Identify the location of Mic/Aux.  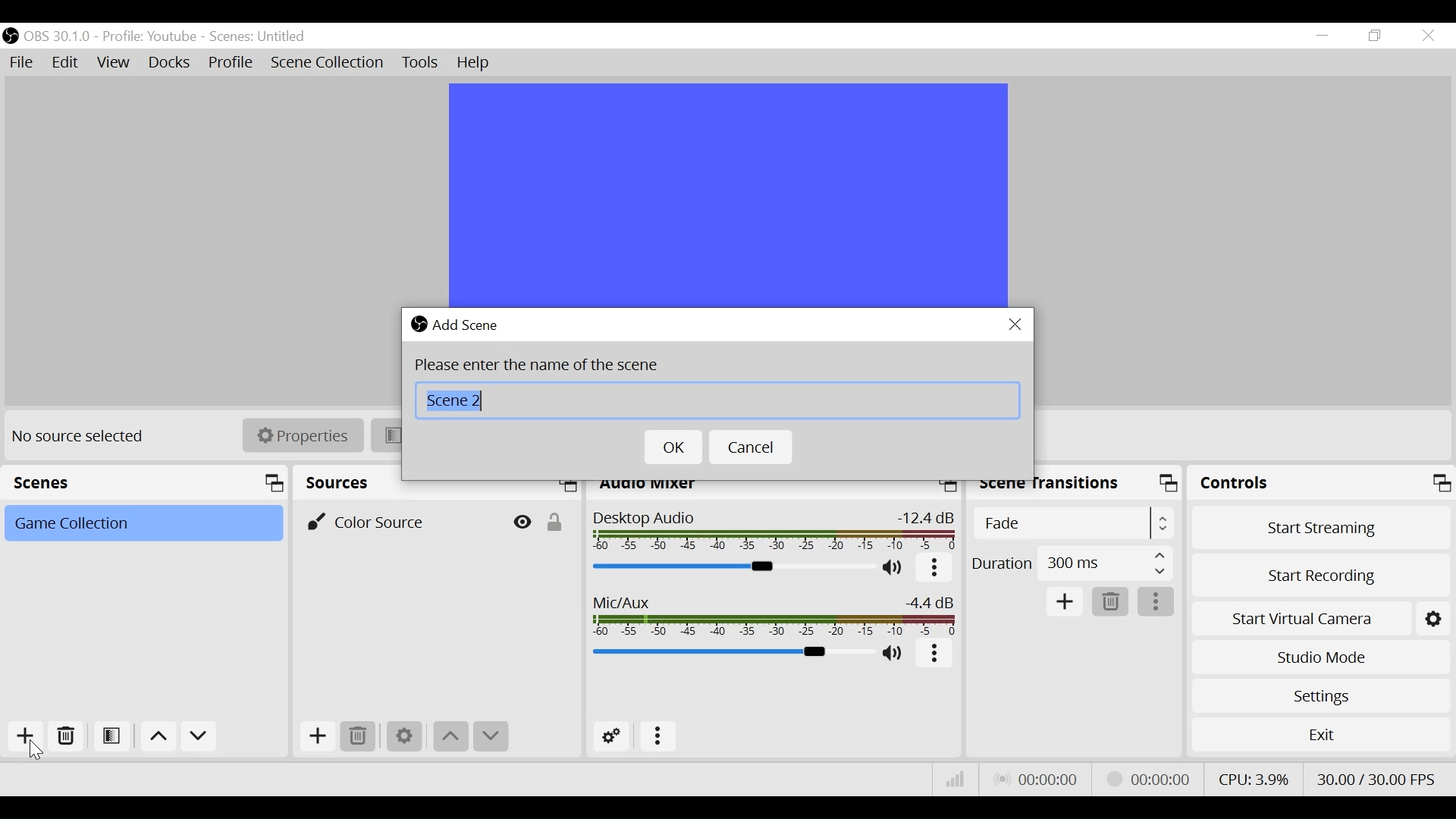
(776, 616).